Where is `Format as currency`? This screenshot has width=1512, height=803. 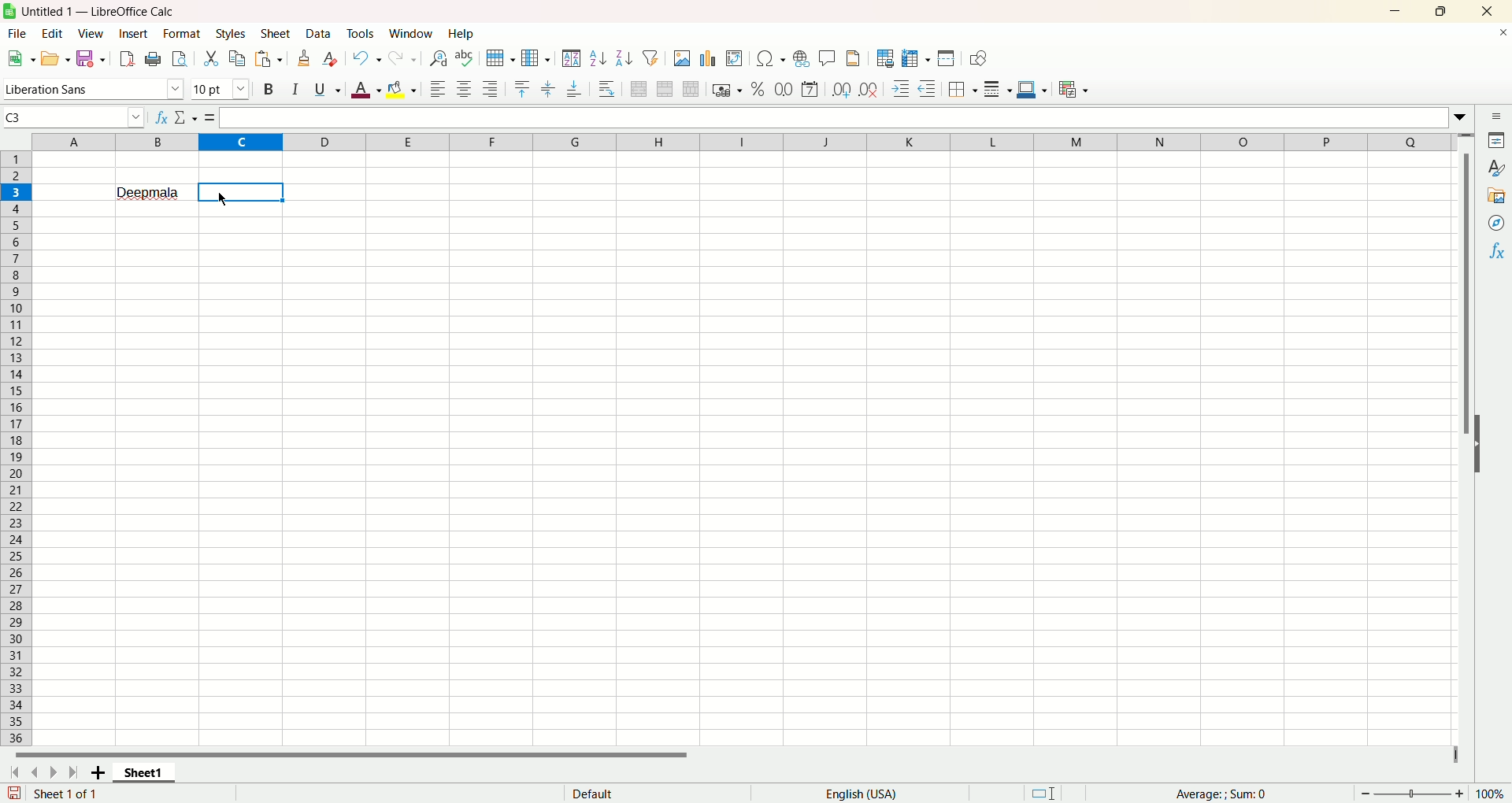
Format as currency is located at coordinates (727, 88).